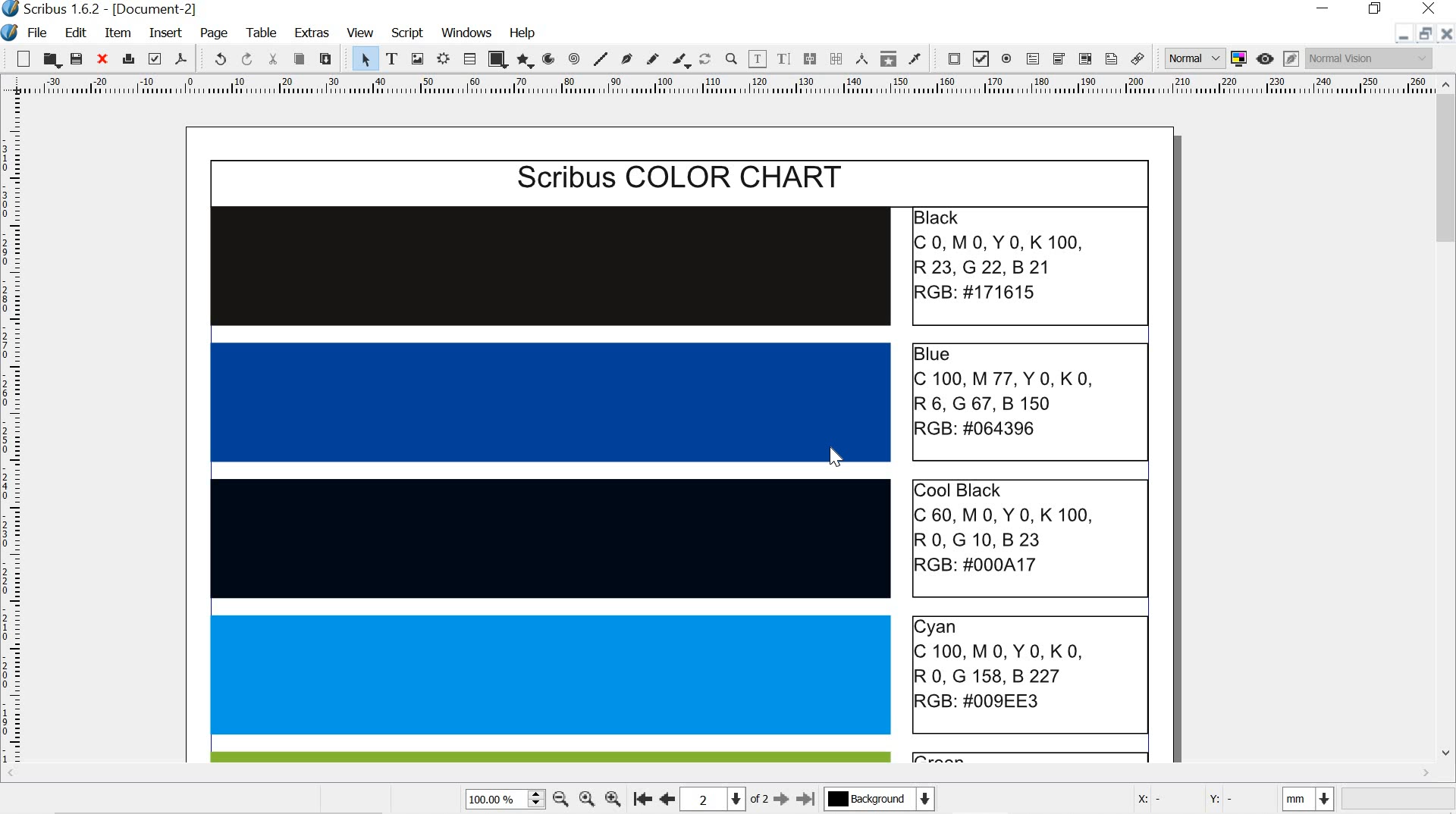  What do you see at coordinates (52, 60) in the screenshot?
I see `open` at bounding box center [52, 60].